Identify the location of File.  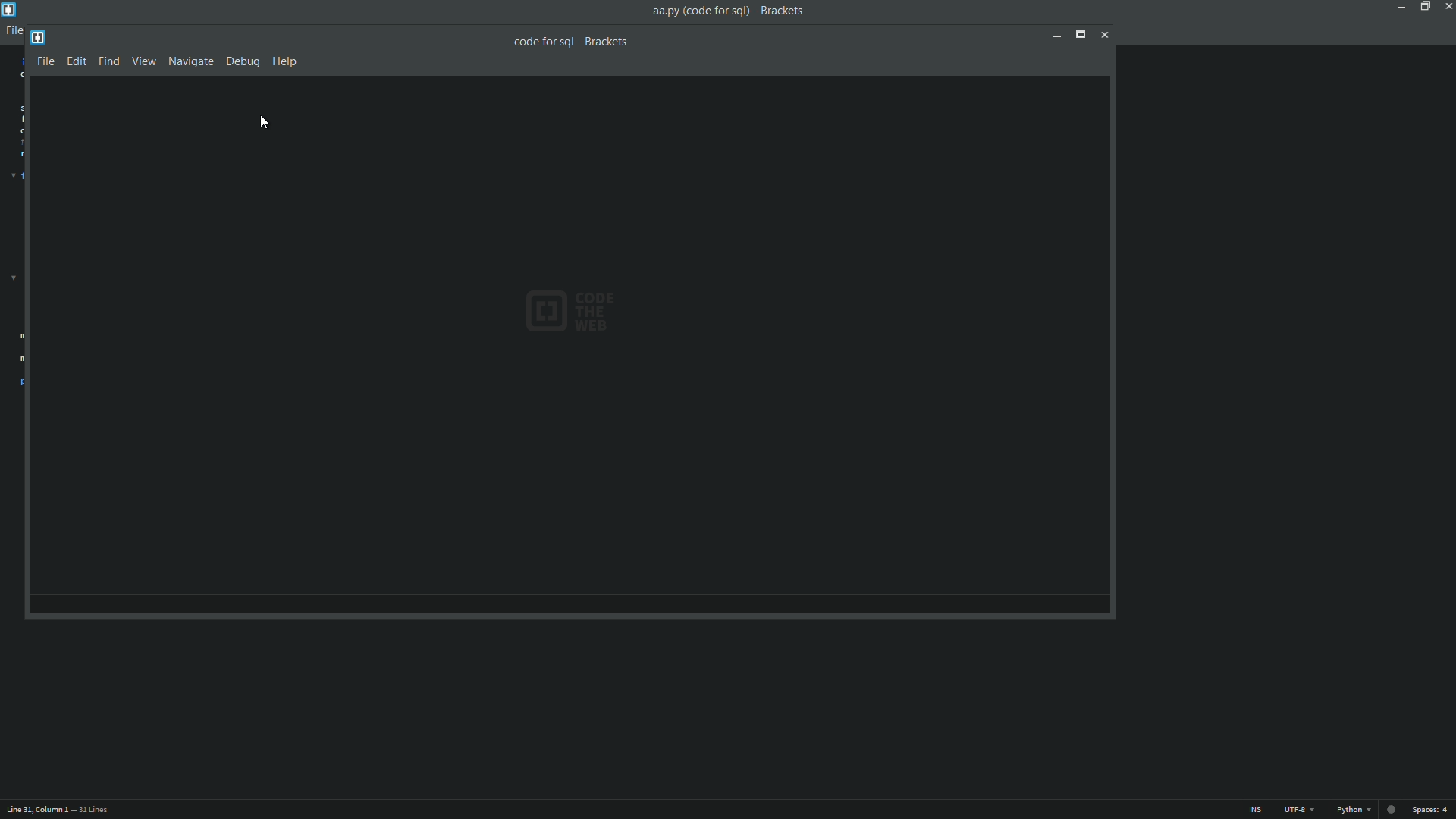
(45, 60).